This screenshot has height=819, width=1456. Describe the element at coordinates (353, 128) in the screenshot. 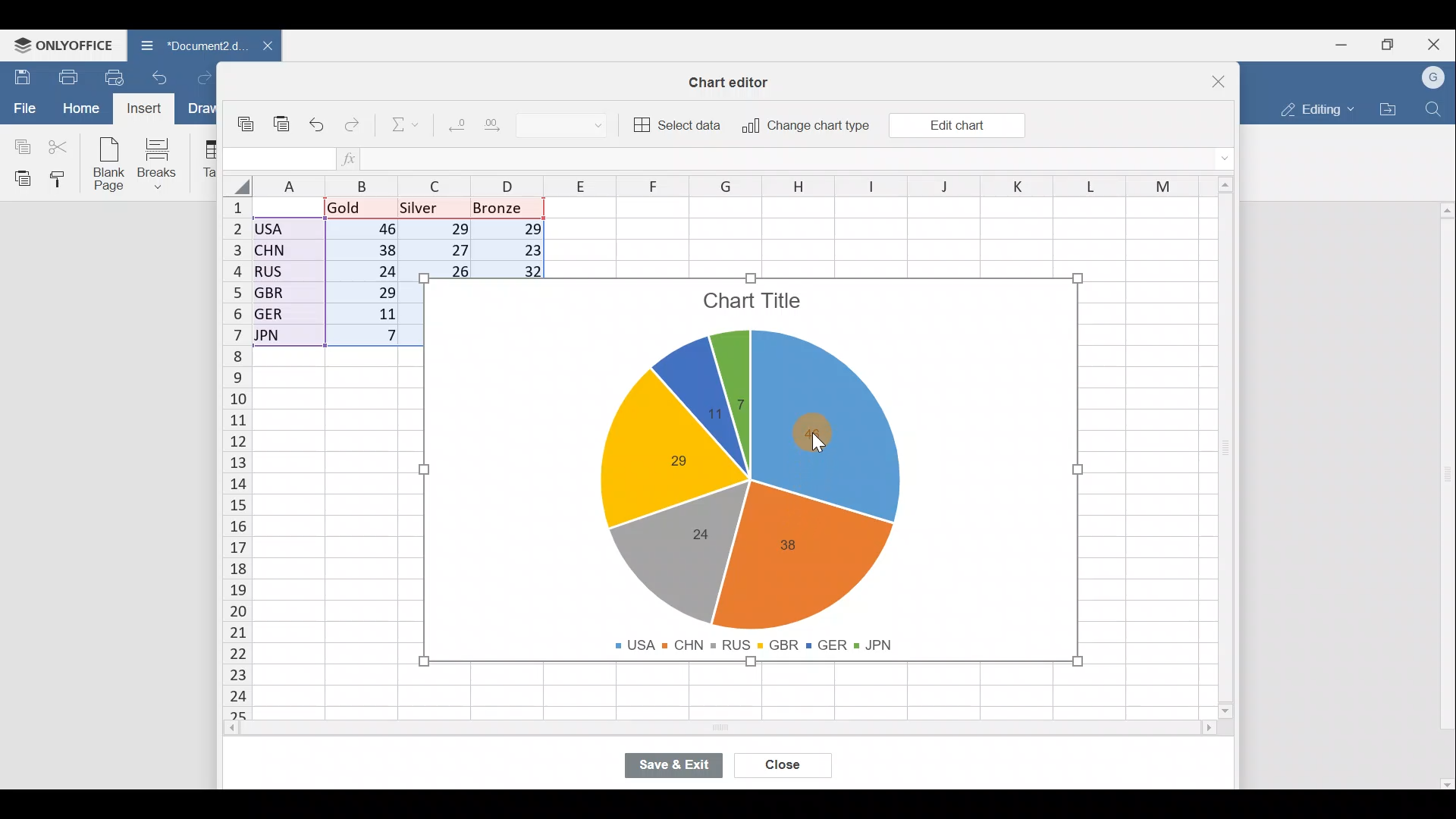

I see `Redo` at that location.